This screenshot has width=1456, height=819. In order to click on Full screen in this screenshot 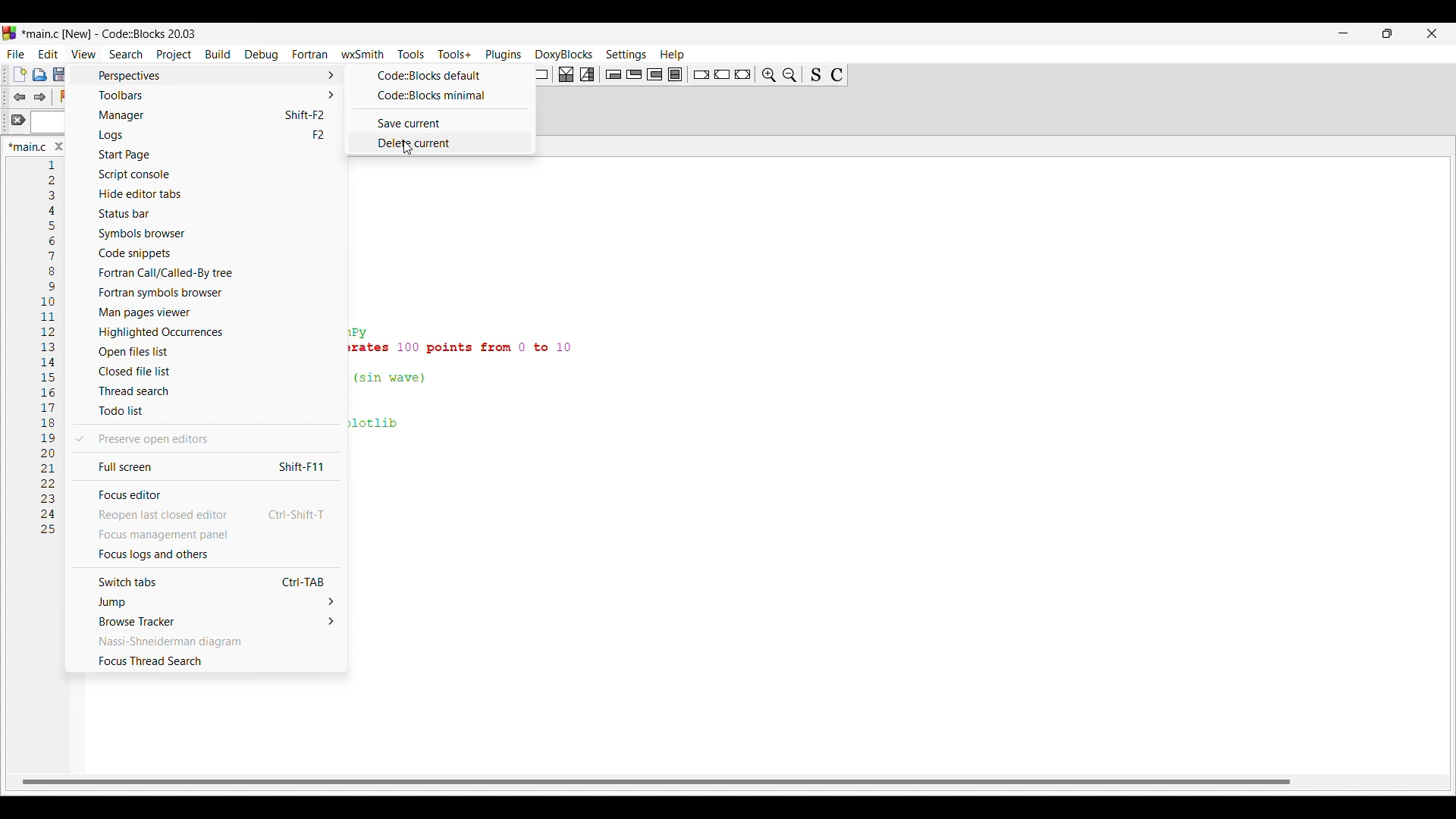, I will do `click(204, 465)`.